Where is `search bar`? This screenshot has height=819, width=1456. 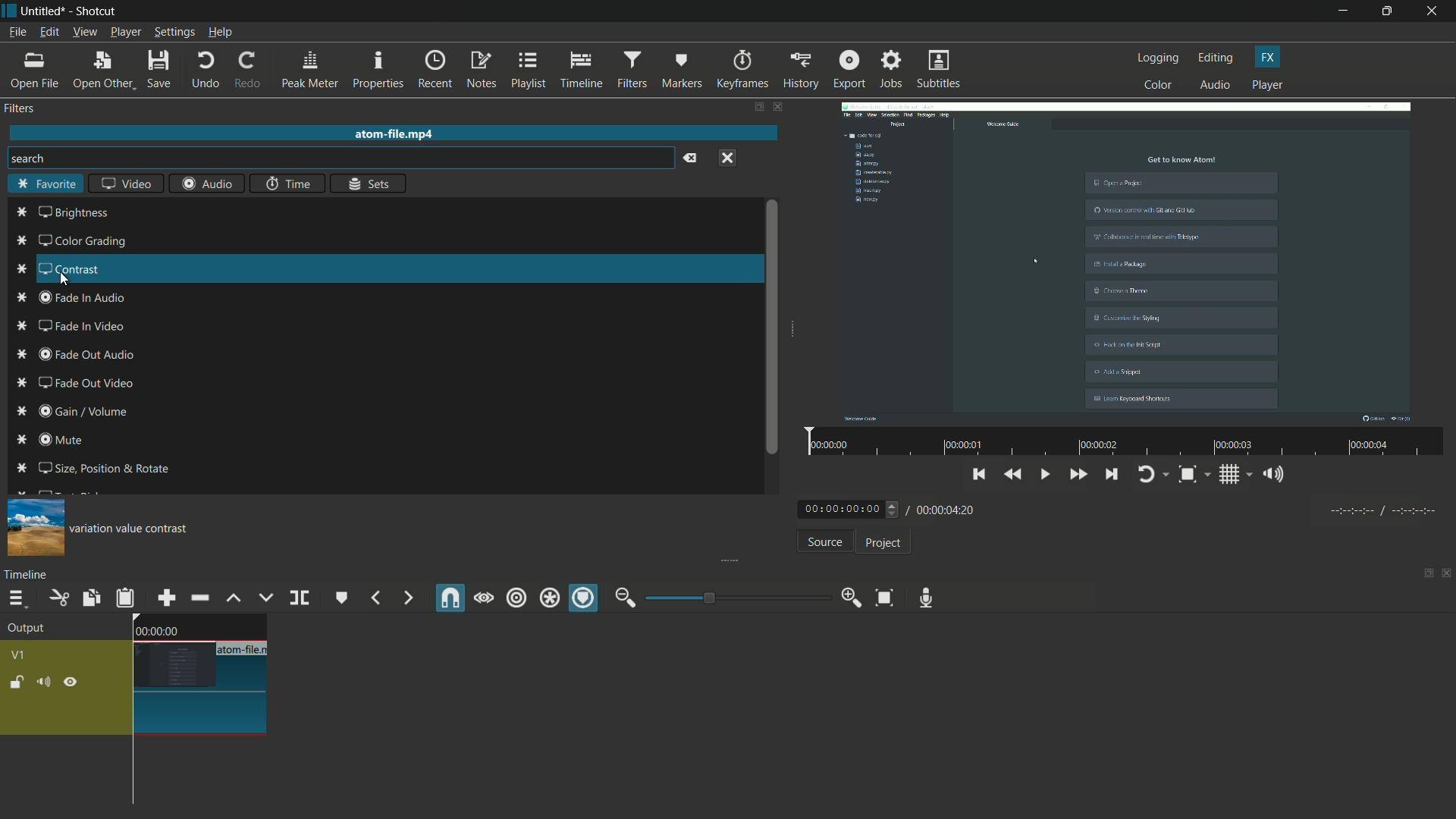
search bar is located at coordinates (338, 158).